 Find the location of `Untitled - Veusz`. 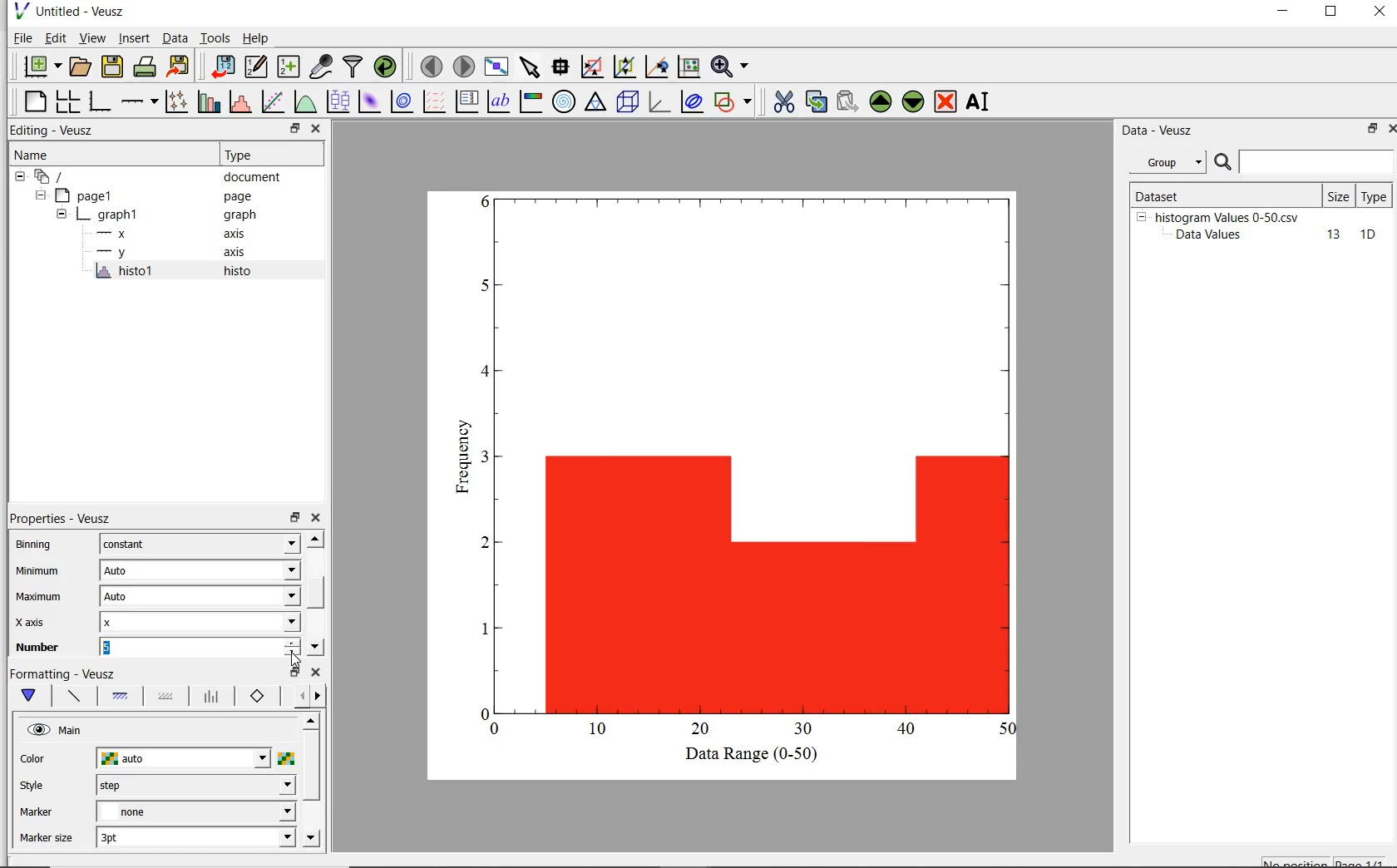

Untitled - Veusz is located at coordinates (84, 11).